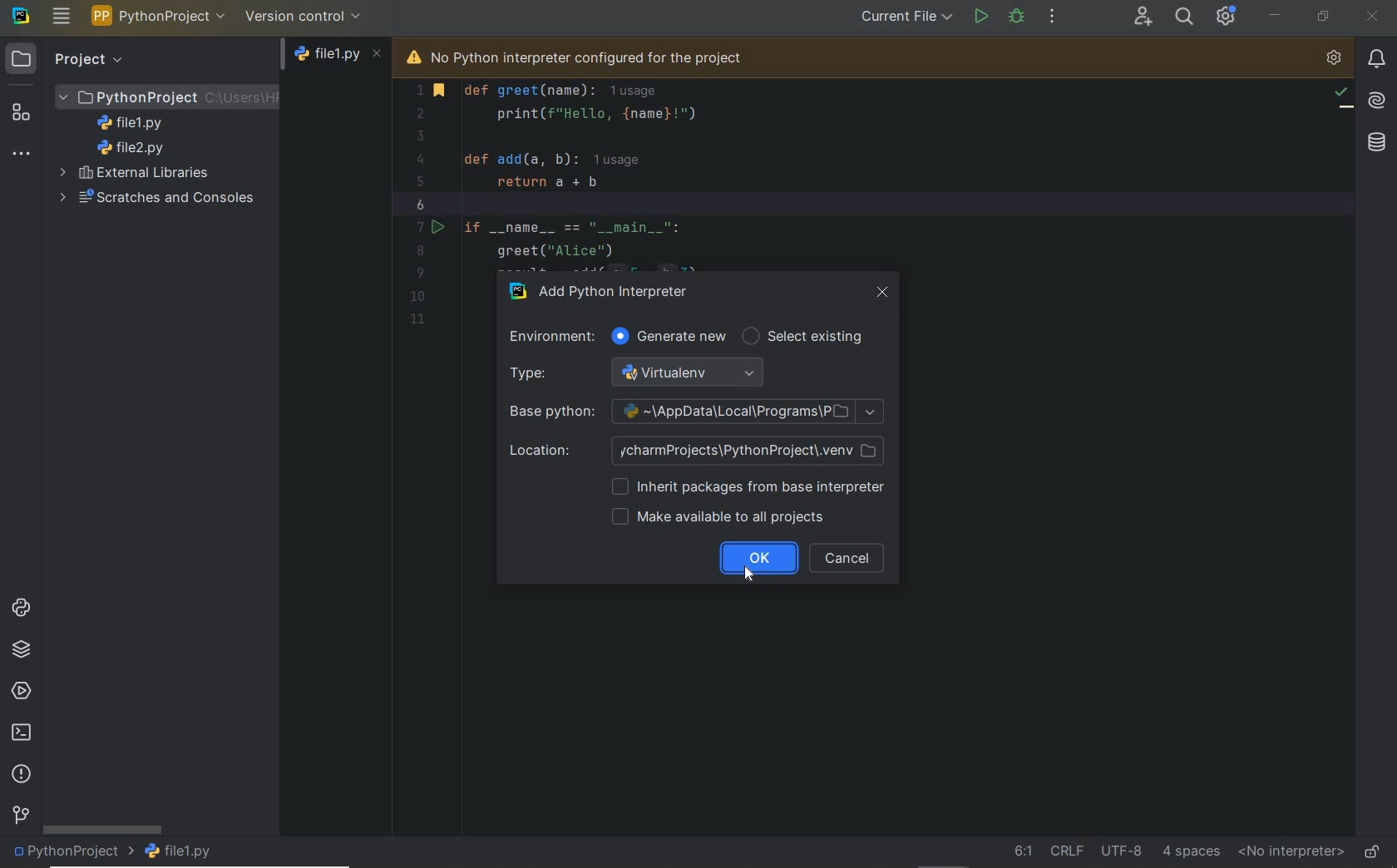 This screenshot has width=1397, height=868. Describe the element at coordinates (21, 16) in the screenshot. I see `system name` at that location.